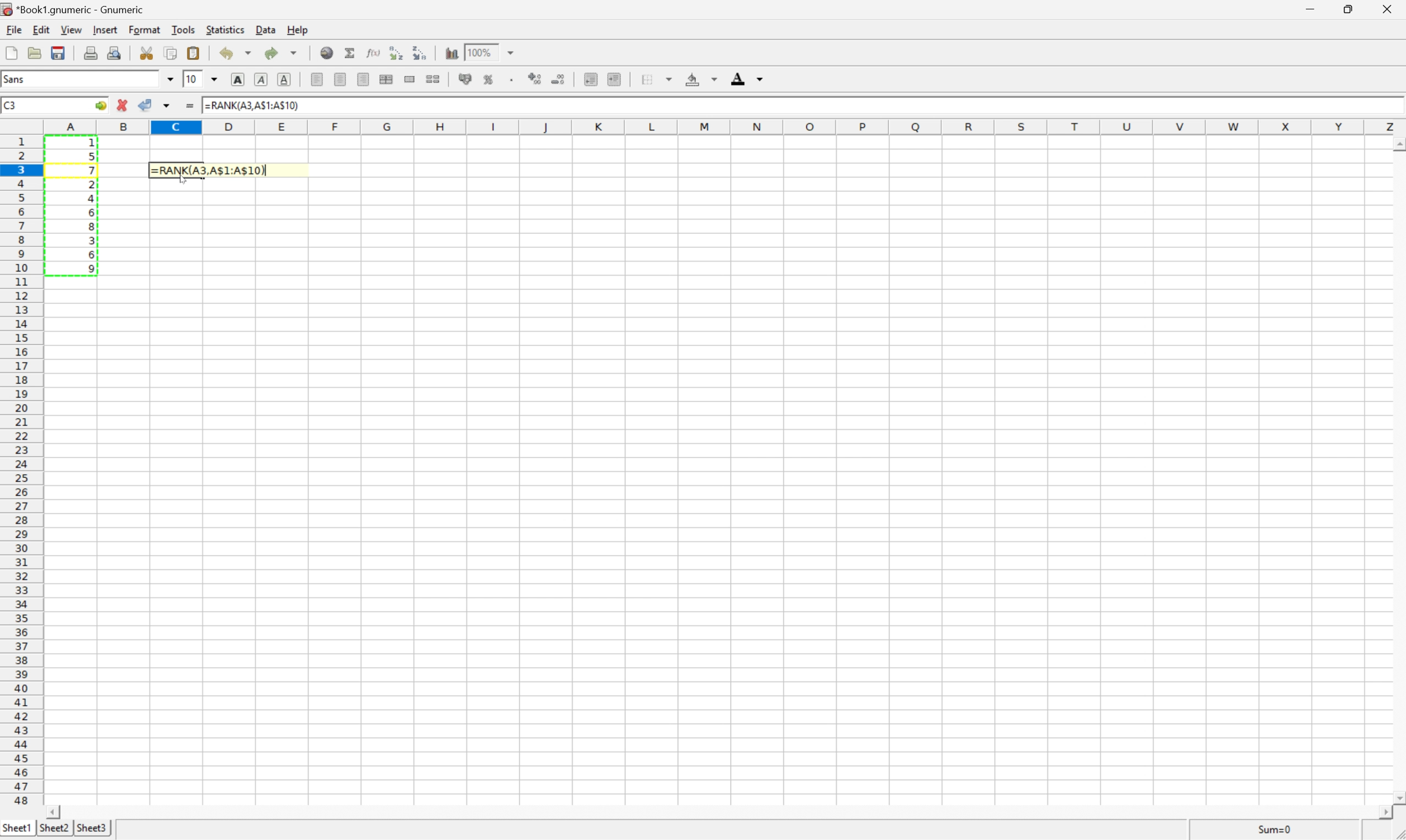 The height and width of the screenshot is (840, 1406). Describe the element at coordinates (169, 106) in the screenshot. I see `accept changes across selection` at that location.